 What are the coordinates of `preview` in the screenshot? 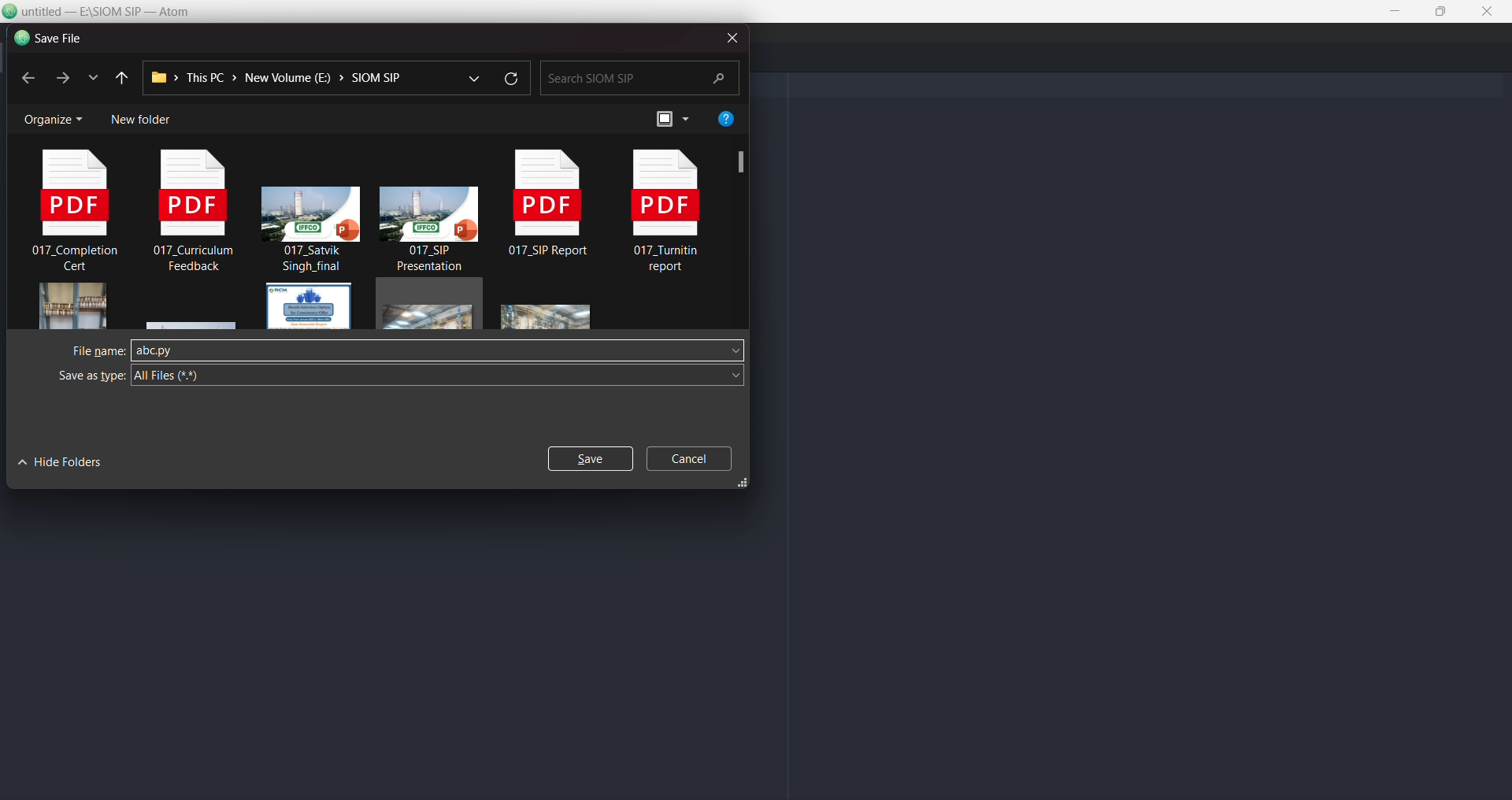 It's located at (670, 119).